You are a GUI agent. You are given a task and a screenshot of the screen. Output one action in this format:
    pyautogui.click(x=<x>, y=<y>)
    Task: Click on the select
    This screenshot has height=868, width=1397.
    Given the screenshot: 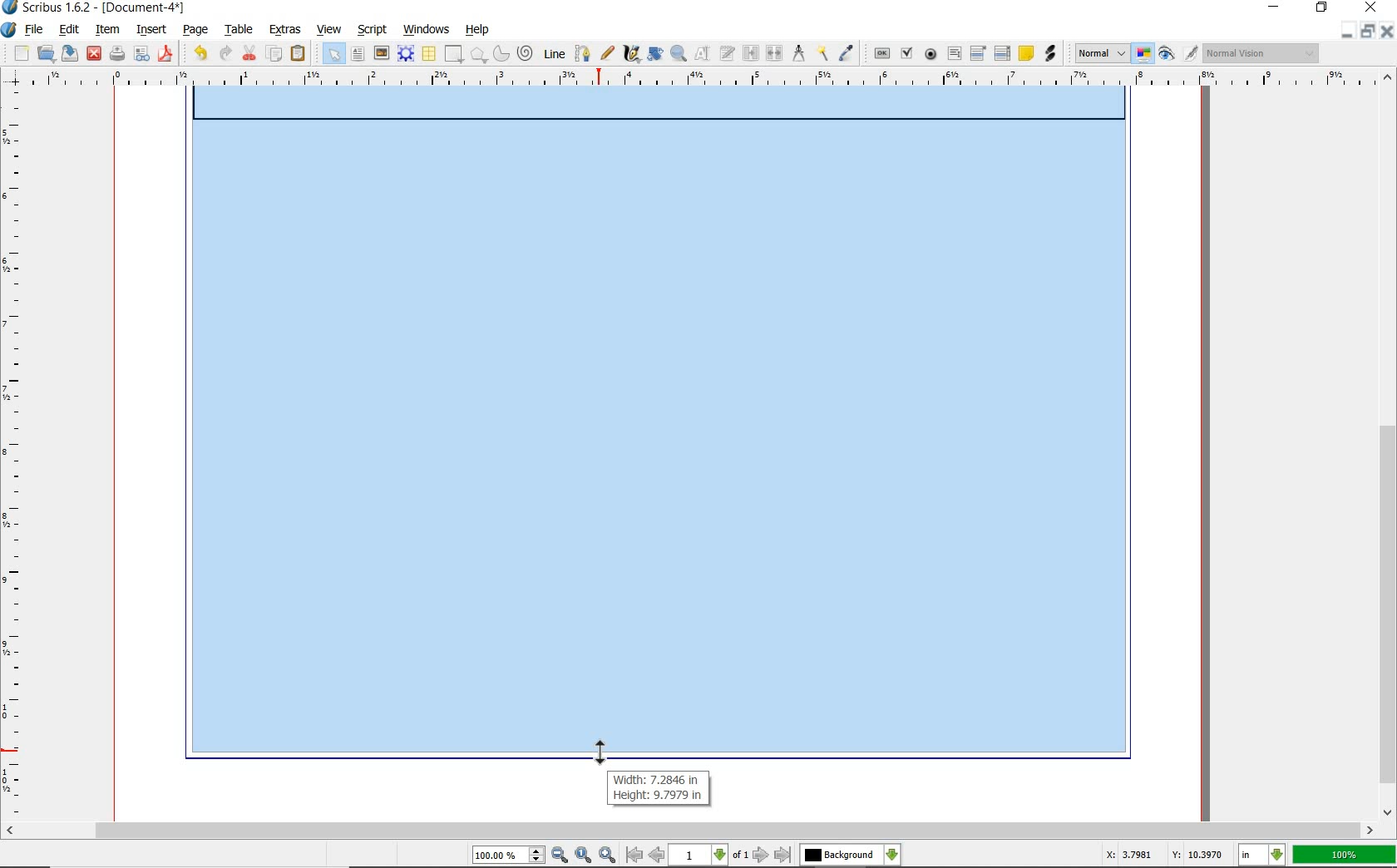 What is the action you would take?
    pyautogui.click(x=332, y=52)
    